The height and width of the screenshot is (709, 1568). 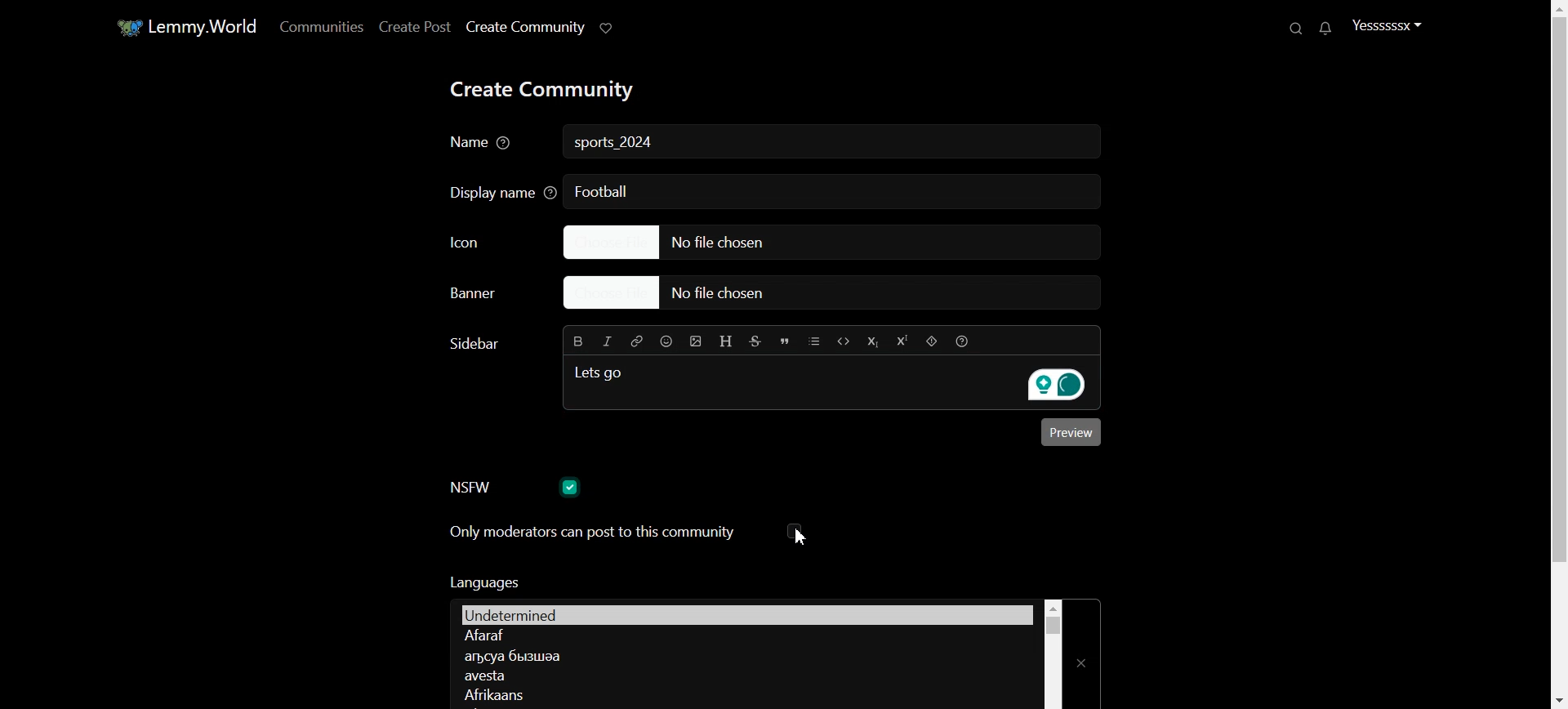 What do you see at coordinates (1053, 386) in the screenshot?
I see `grammarly` at bounding box center [1053, 386].